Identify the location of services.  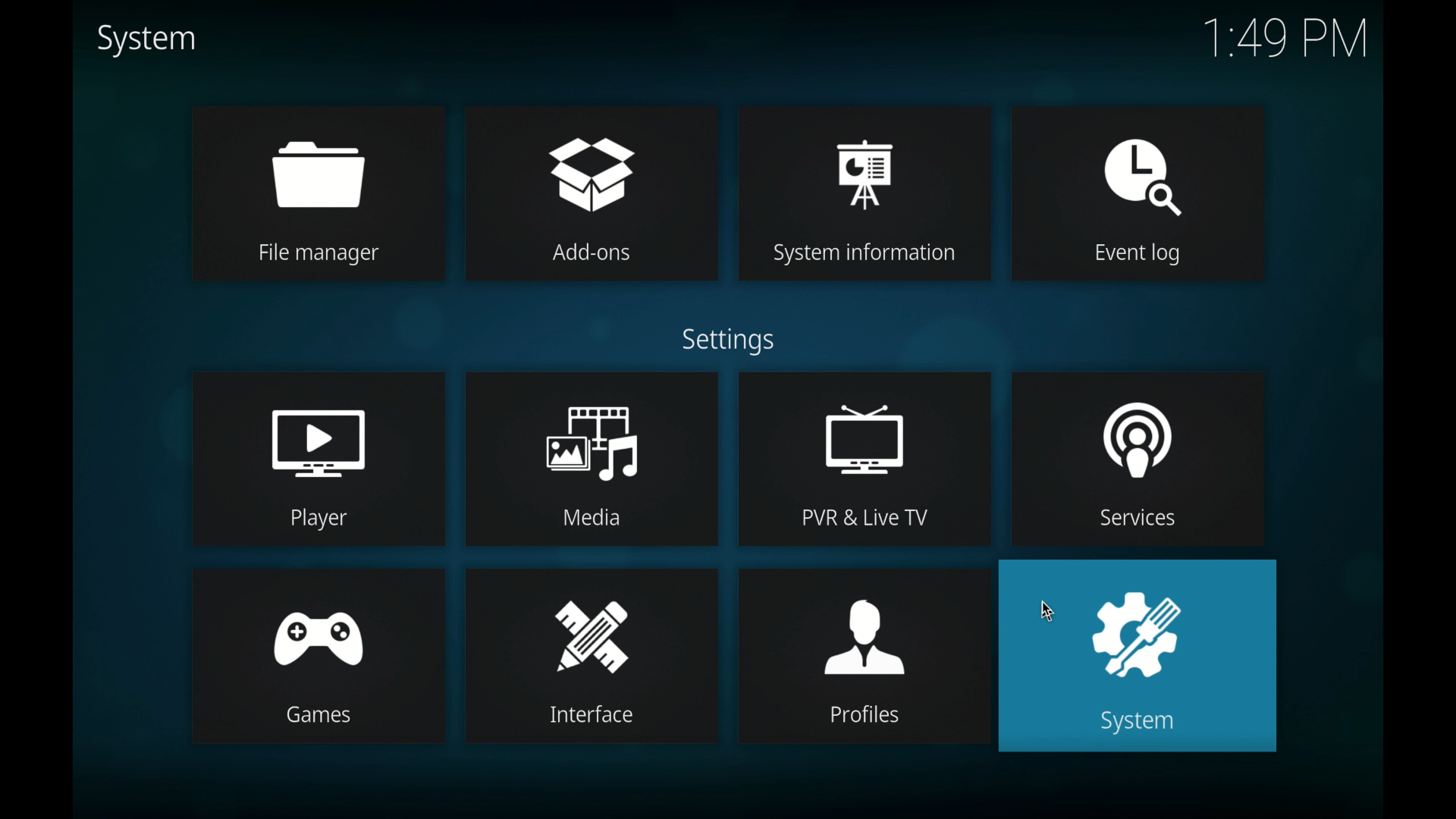
(1138, 459).